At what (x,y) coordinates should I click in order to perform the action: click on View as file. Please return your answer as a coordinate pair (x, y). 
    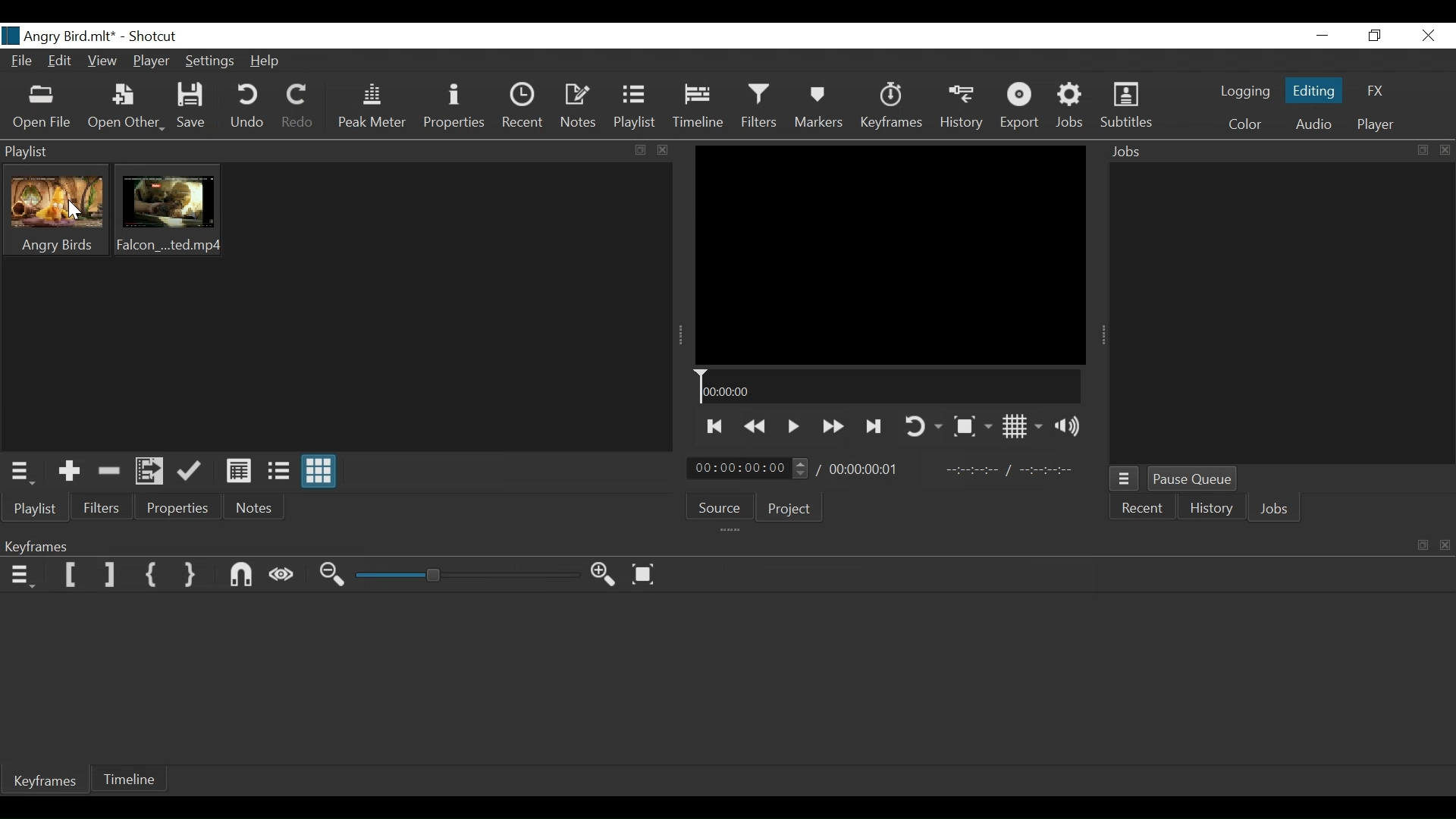
    Looking at the image, I should click on (278, 472).